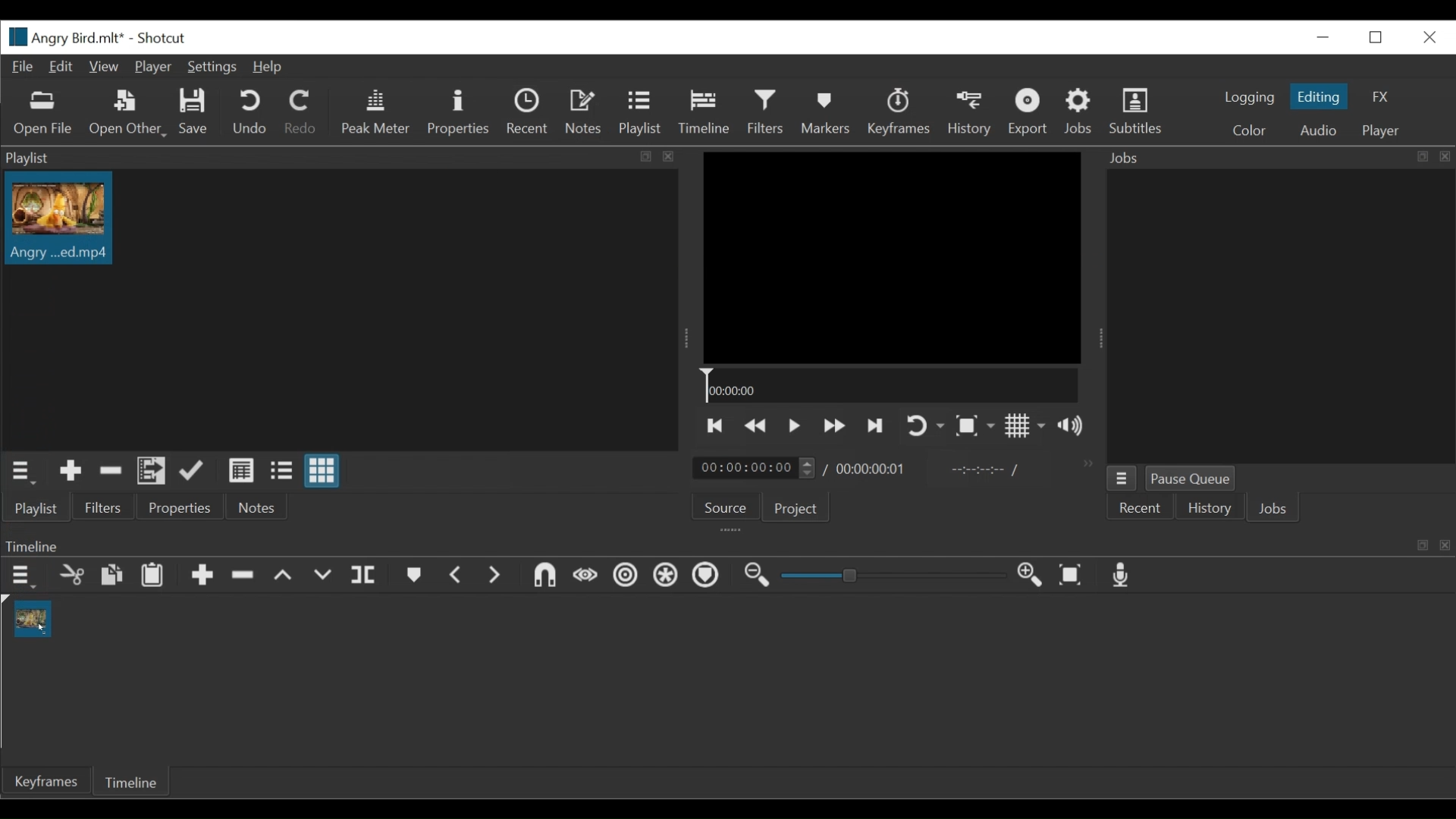 The height and width of the screenshot is (819, 1456). What do you see at coordinates (248, 575) in the screenshot?
I see `remove clip` at bounding box center [248, 575].